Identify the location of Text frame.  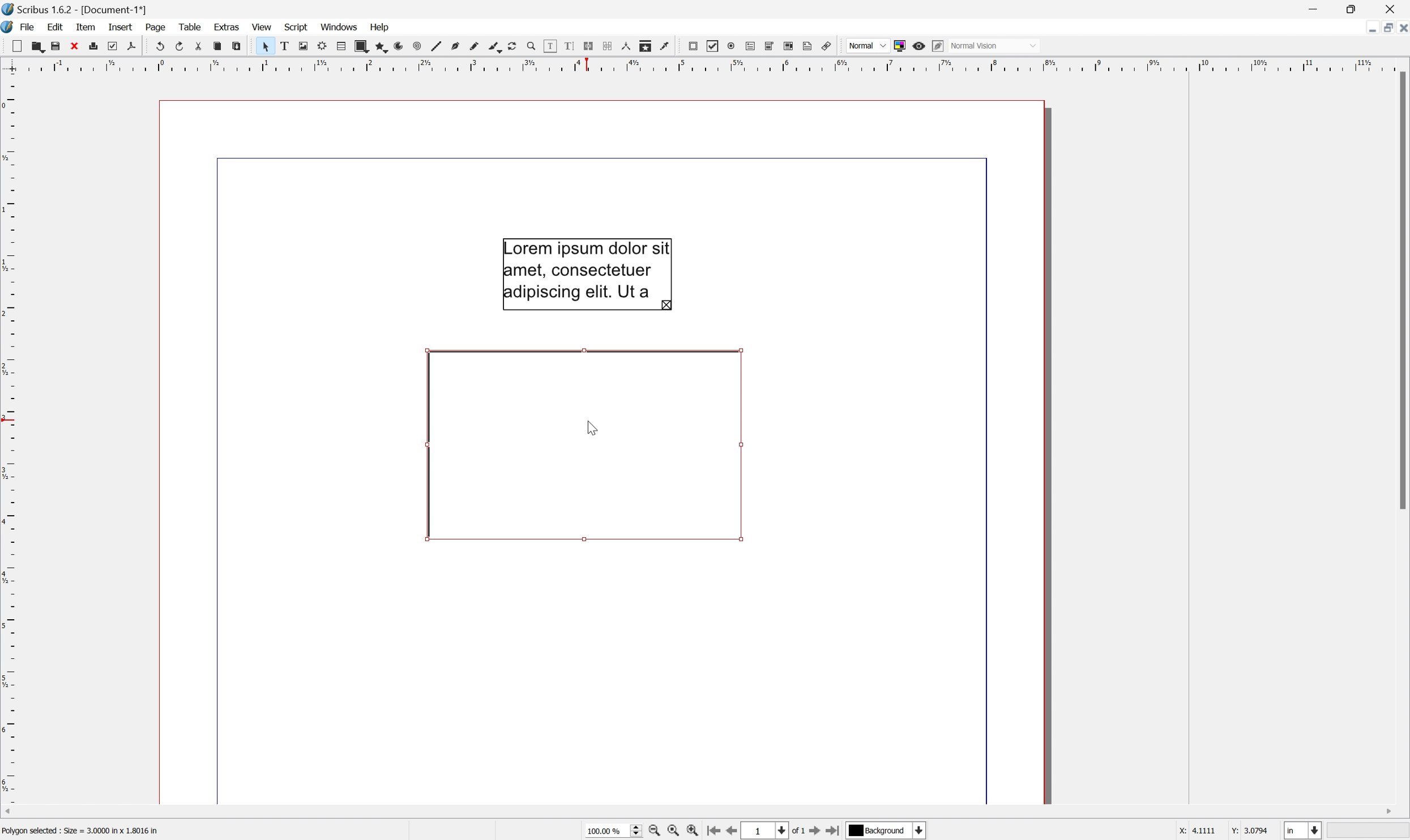
(283, 48).